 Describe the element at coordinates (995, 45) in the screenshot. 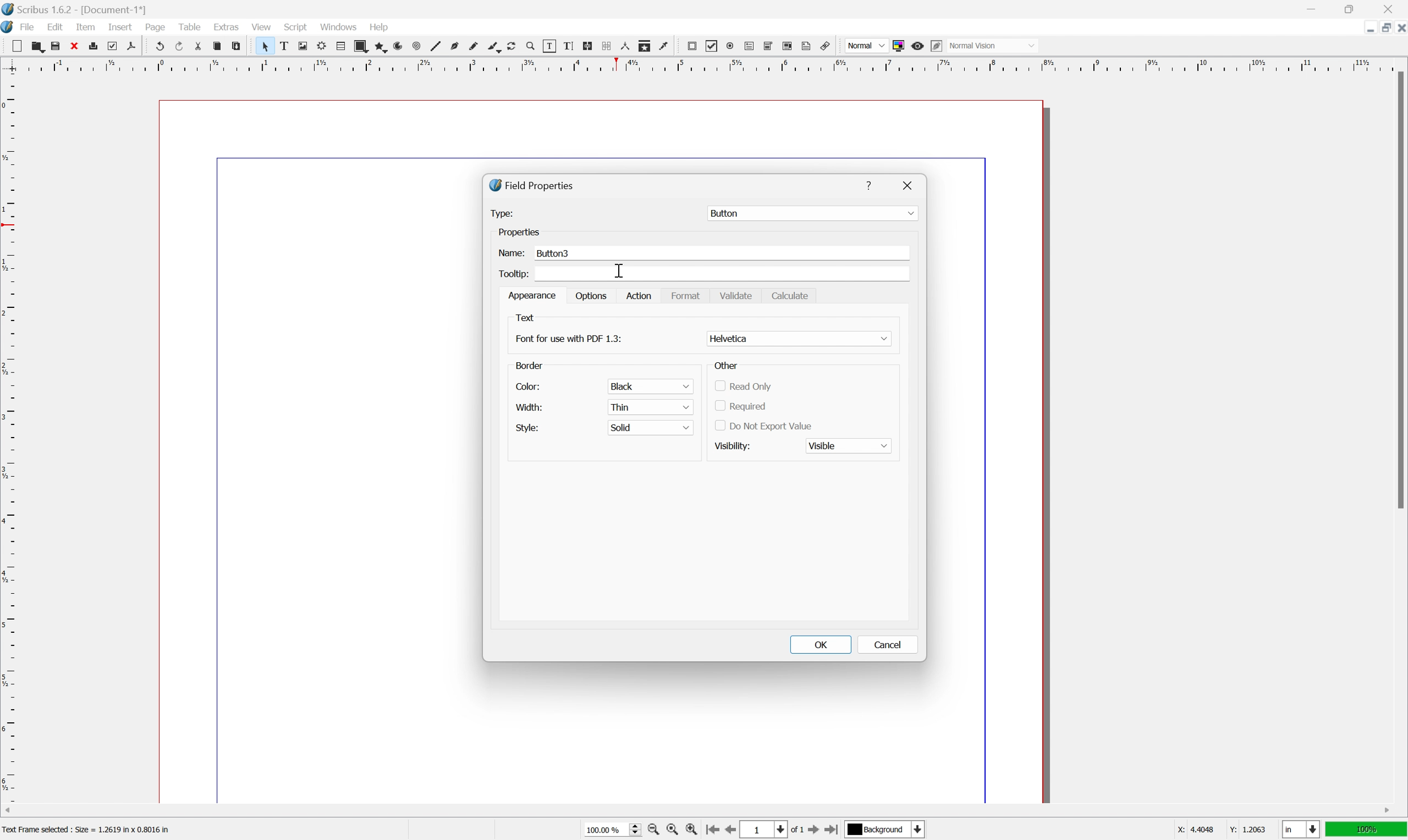

I see `Normal vision` at that location.